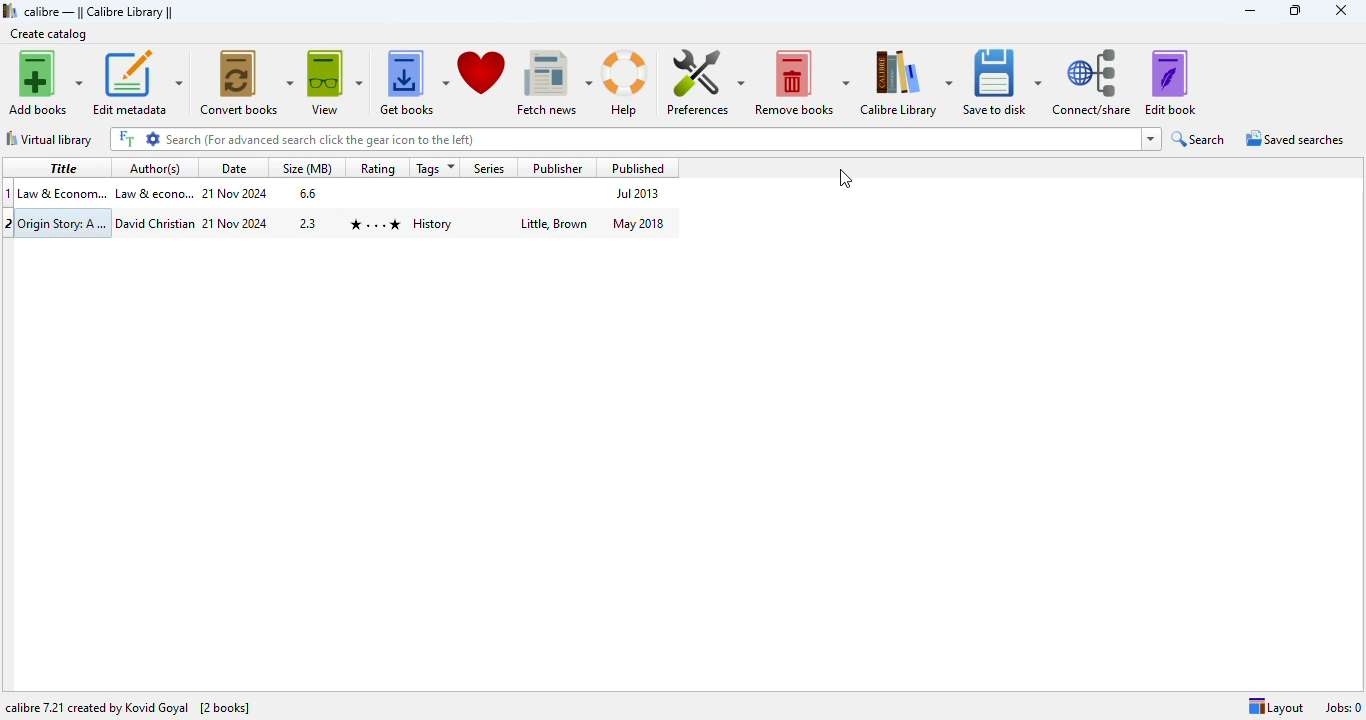  What do you see at coordinates (1248, 11) in the screenshot?
I see `minimize` at bounding box center [1248, 11].